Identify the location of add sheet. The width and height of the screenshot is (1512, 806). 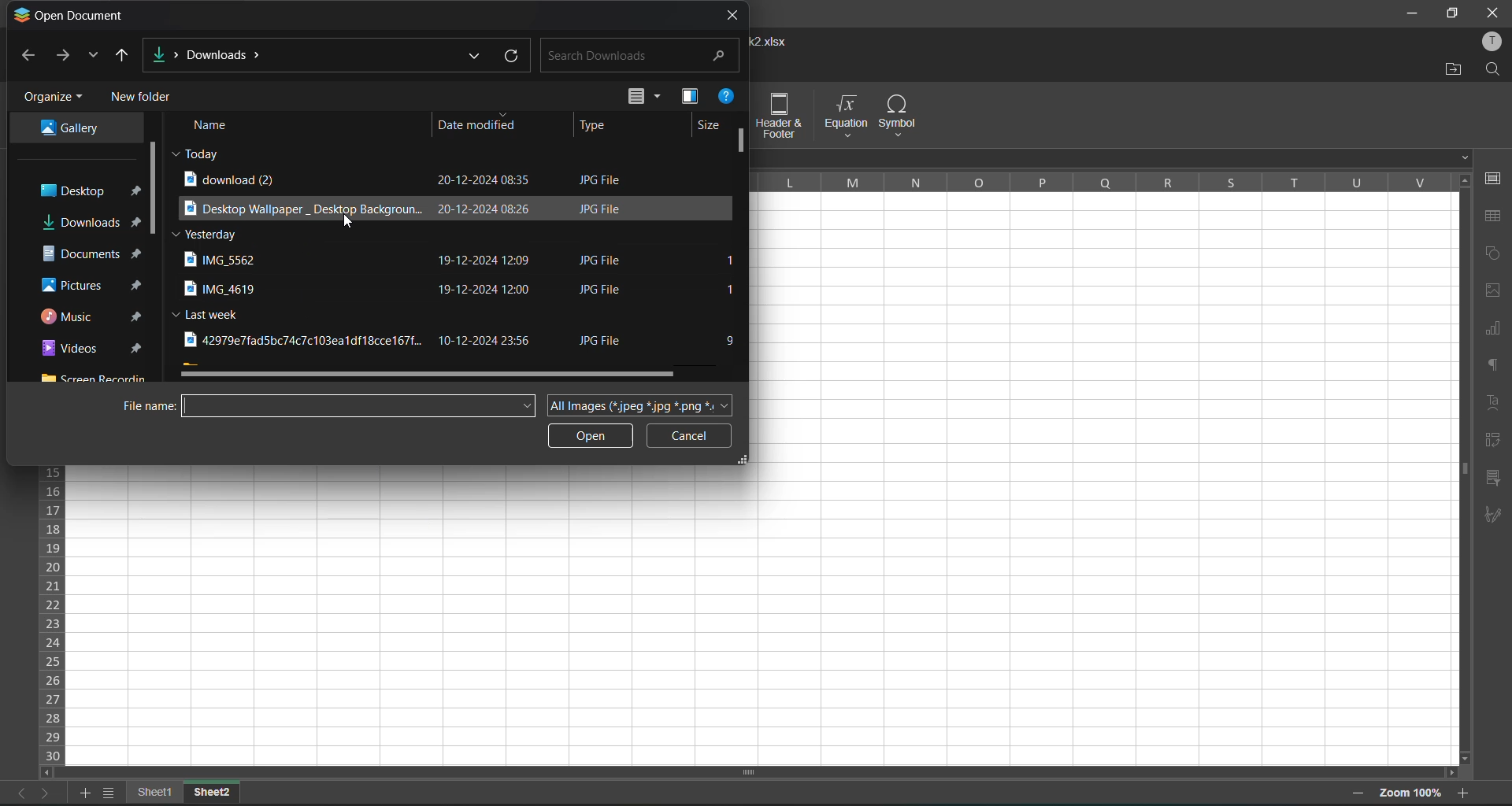
(85, 794).